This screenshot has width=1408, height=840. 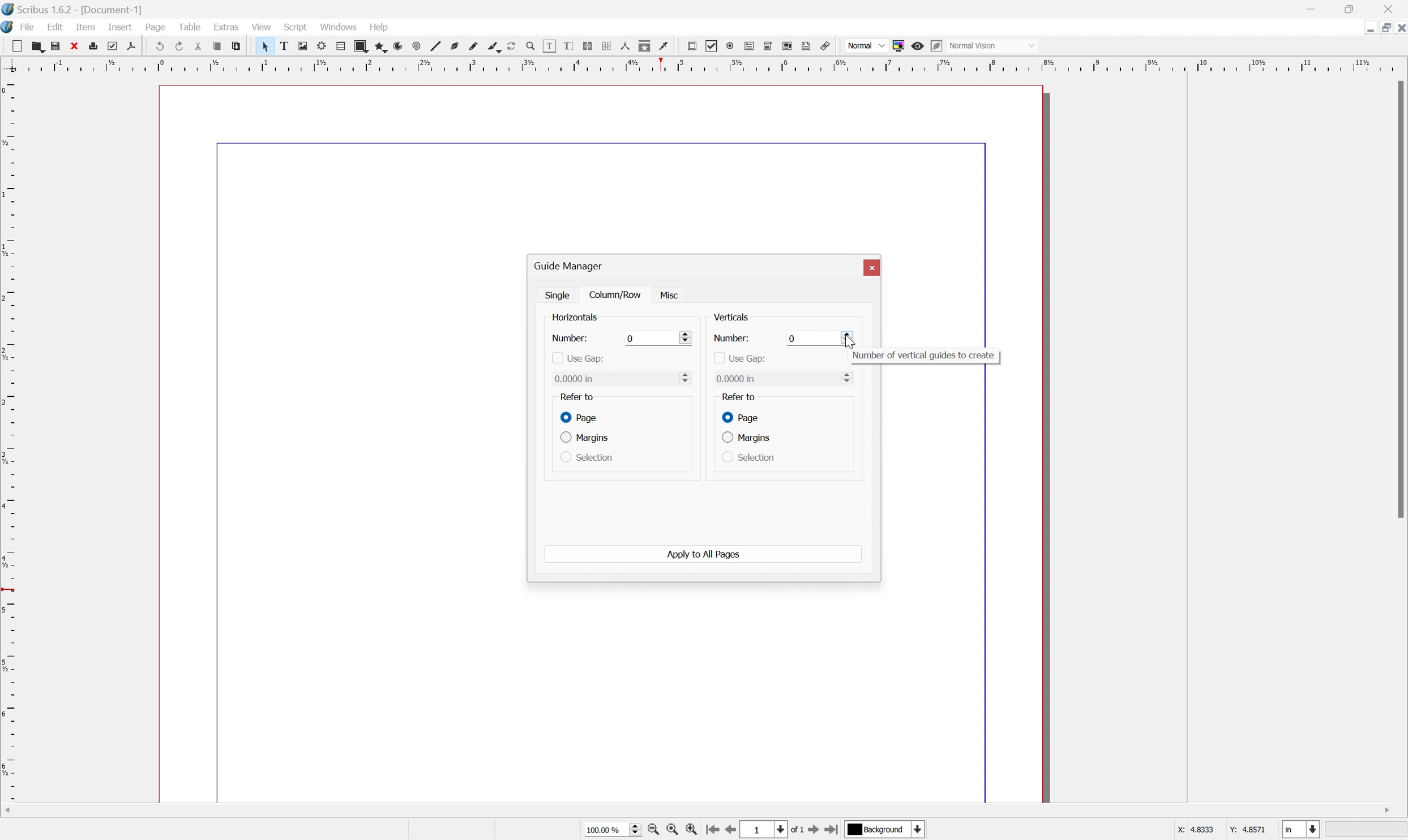 I want to click on select tool, so click(x=263, y=46).